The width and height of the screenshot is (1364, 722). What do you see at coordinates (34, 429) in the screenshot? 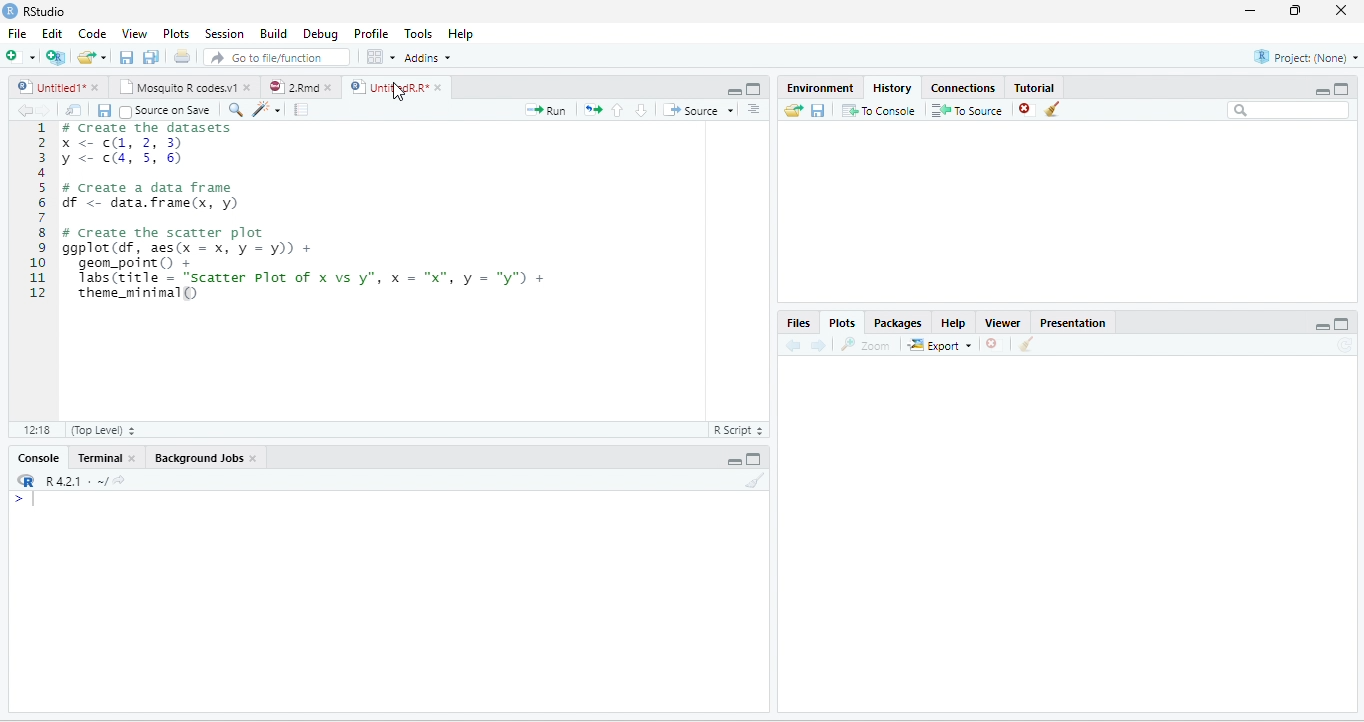
I see `1:1` at bounding box center [34, 429].